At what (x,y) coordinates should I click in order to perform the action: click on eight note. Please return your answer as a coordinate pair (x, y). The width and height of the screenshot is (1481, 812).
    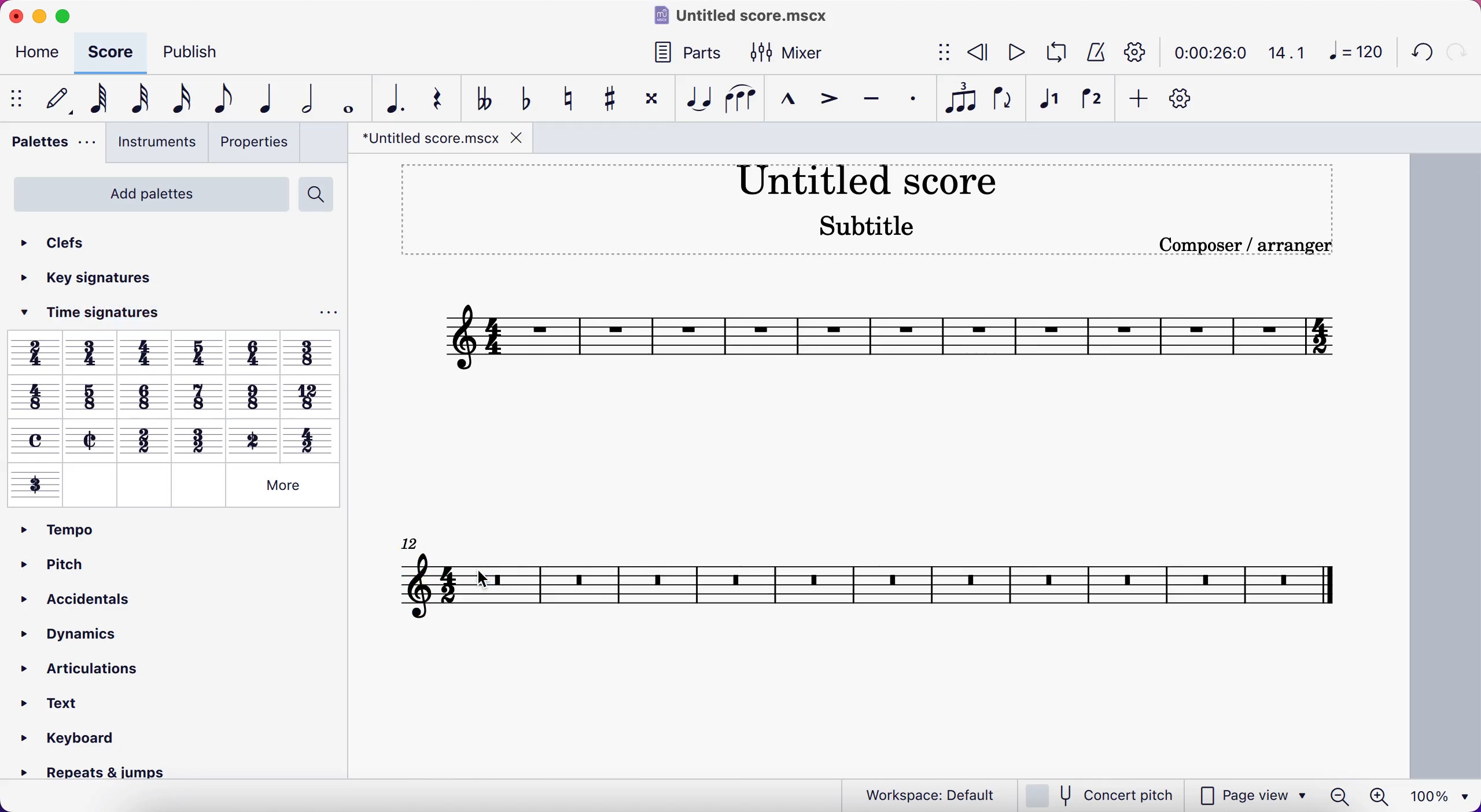
    Looking at the image, I should click on (216, 99).